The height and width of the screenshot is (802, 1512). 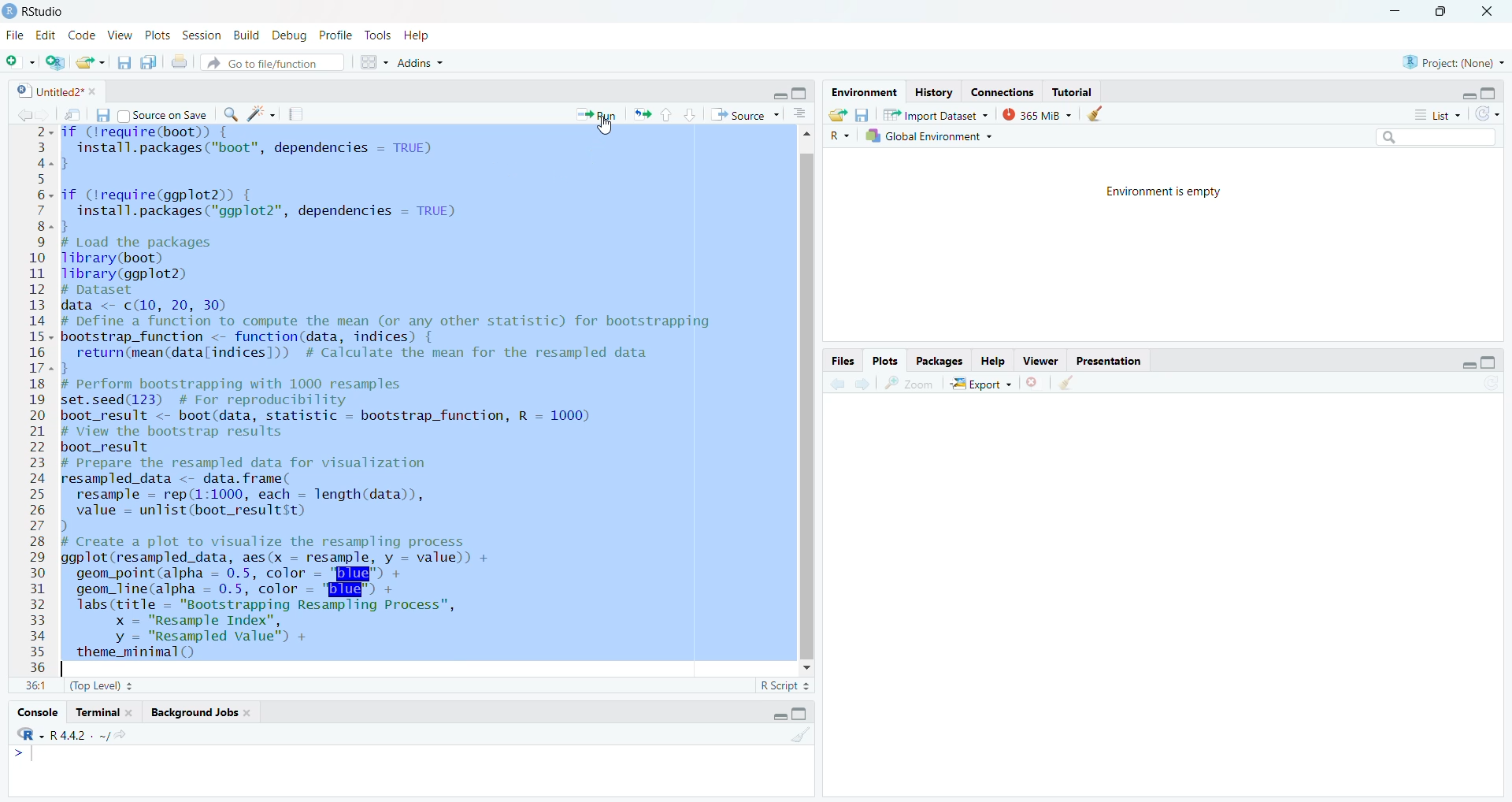 What do you see at coordinates (124, 62) in the screenshot?
I see `save current document` at bounding box center [124, 62].